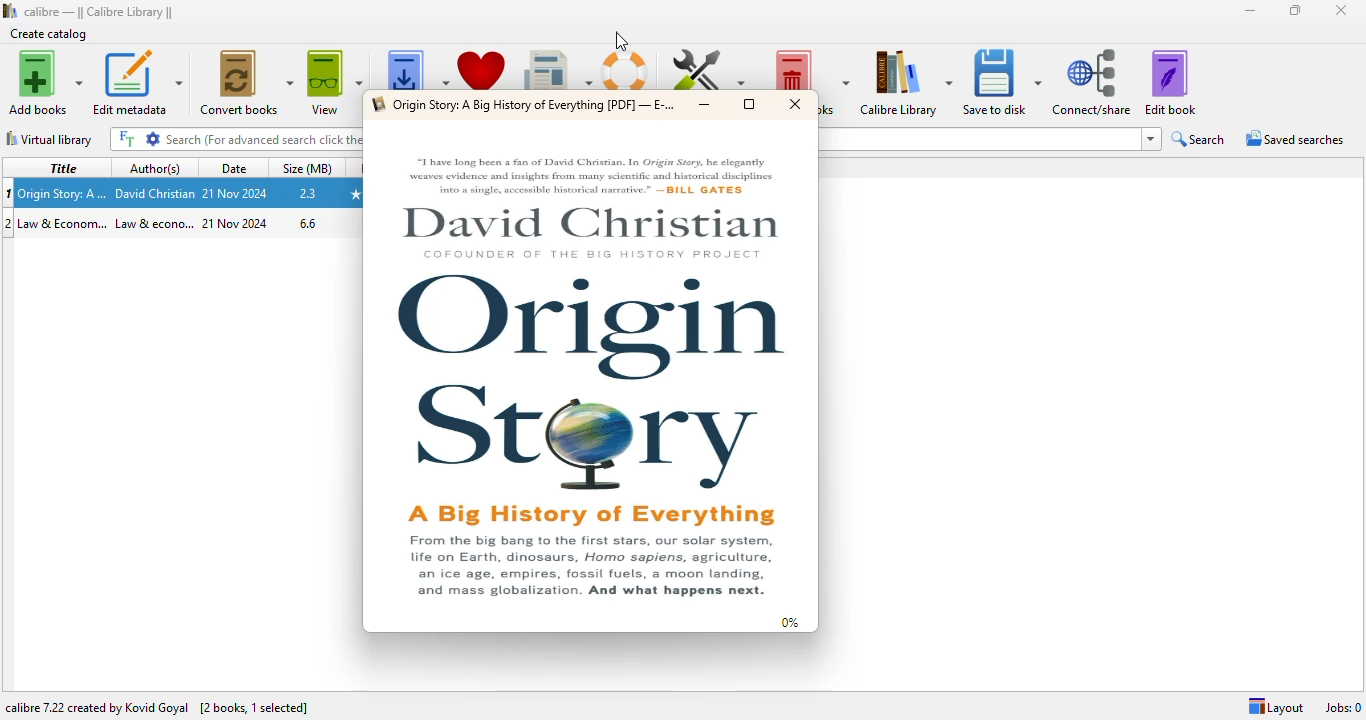  I want to click on date, so click(236, 193).